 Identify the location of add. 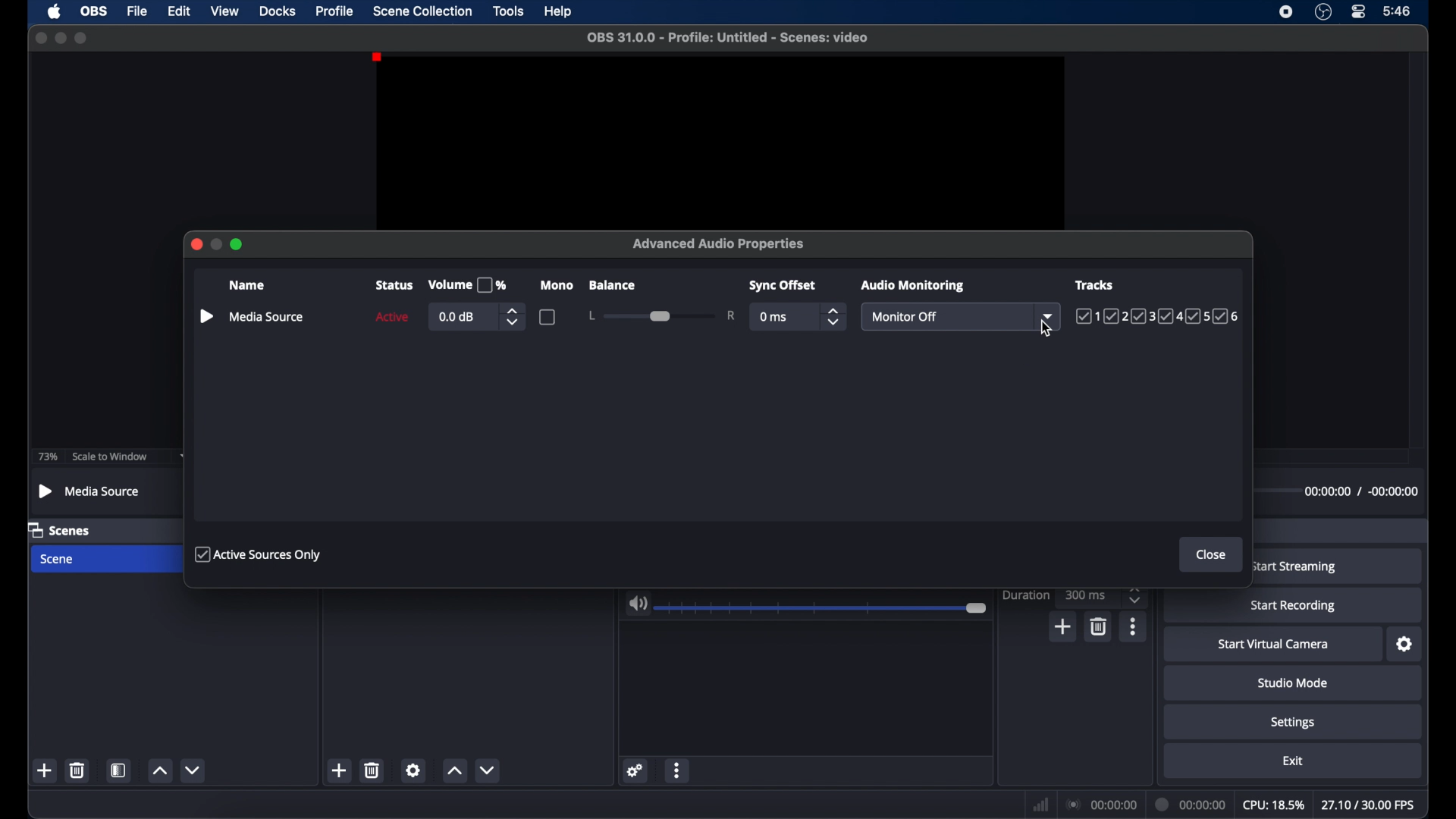
(1064, 626).